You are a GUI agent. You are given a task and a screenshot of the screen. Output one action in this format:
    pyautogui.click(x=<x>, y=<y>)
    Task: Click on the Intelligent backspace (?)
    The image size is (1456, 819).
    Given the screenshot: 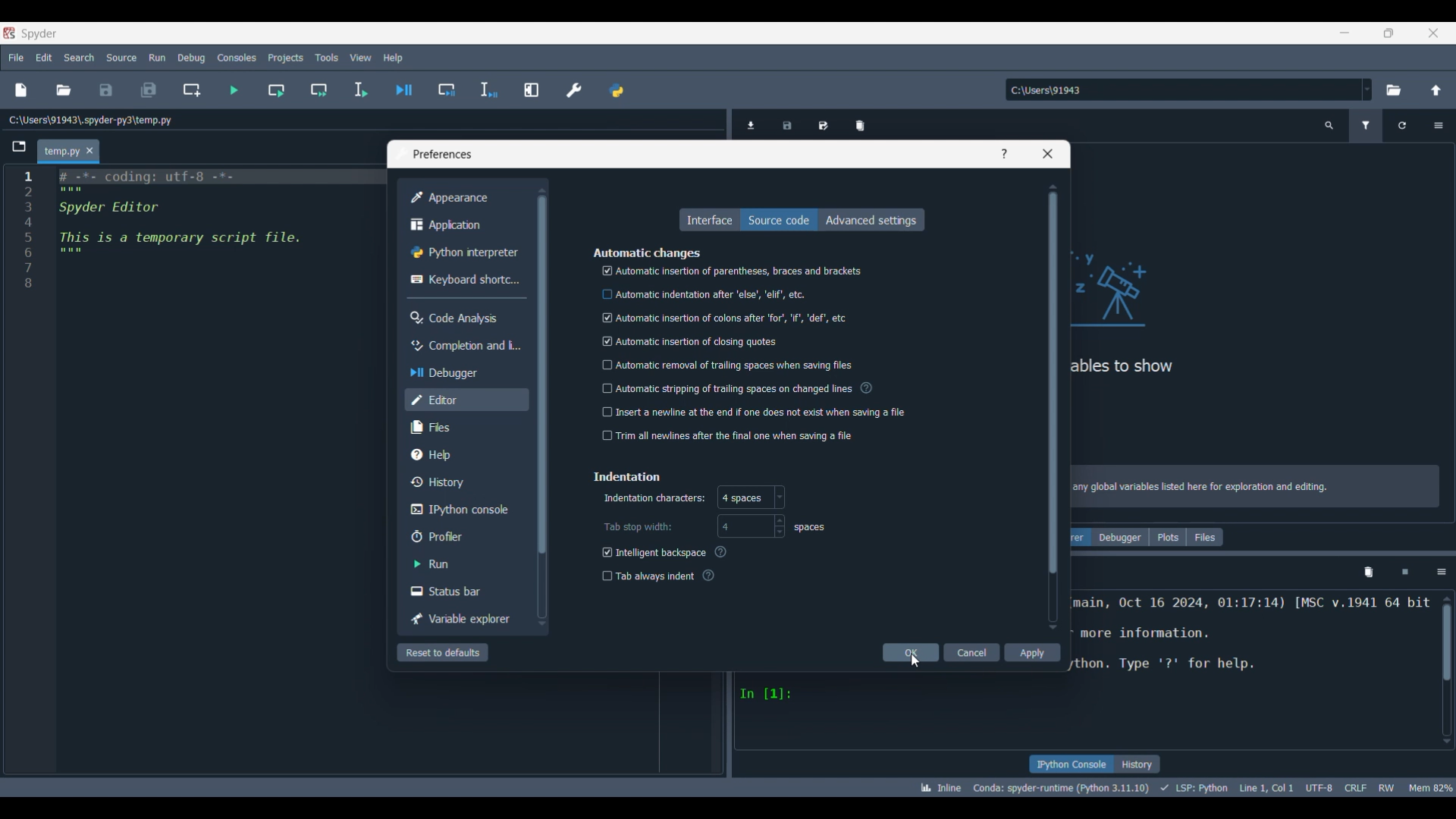 What is the action you would take?
    pyautogui.click(x=667, y=553)
    